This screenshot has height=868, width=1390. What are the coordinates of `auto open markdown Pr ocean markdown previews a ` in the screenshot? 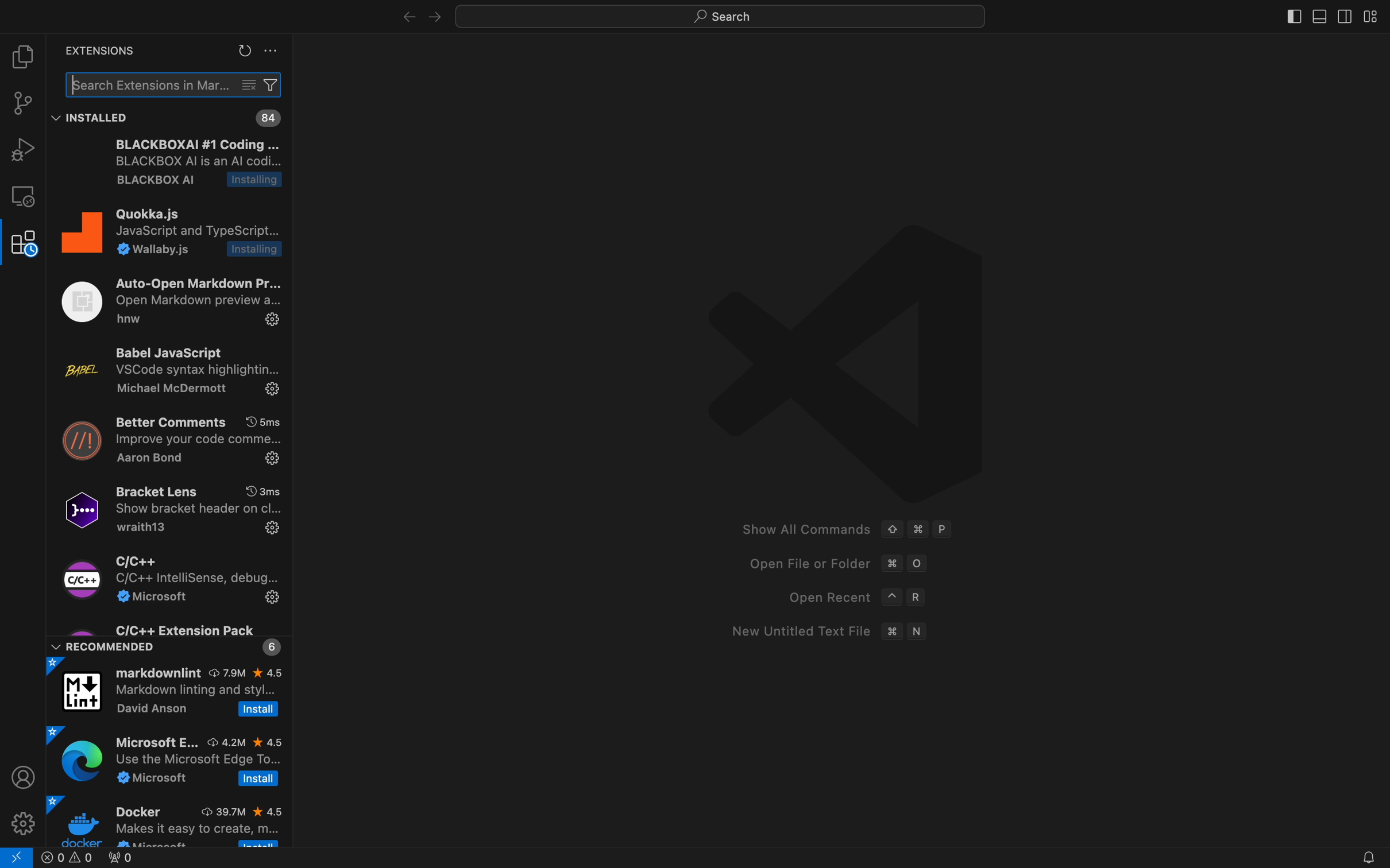 It's located at (175, 300).